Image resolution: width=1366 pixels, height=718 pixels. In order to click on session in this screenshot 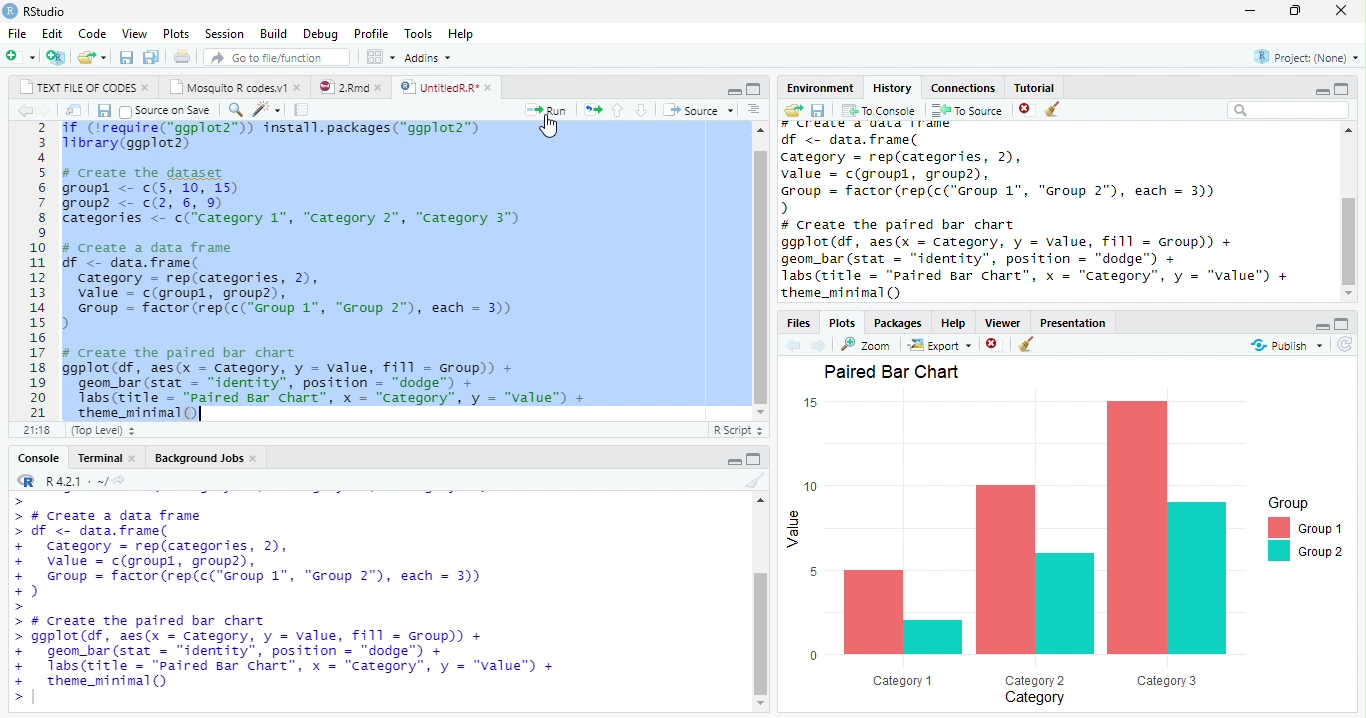, I will do `click(222, 33)`.